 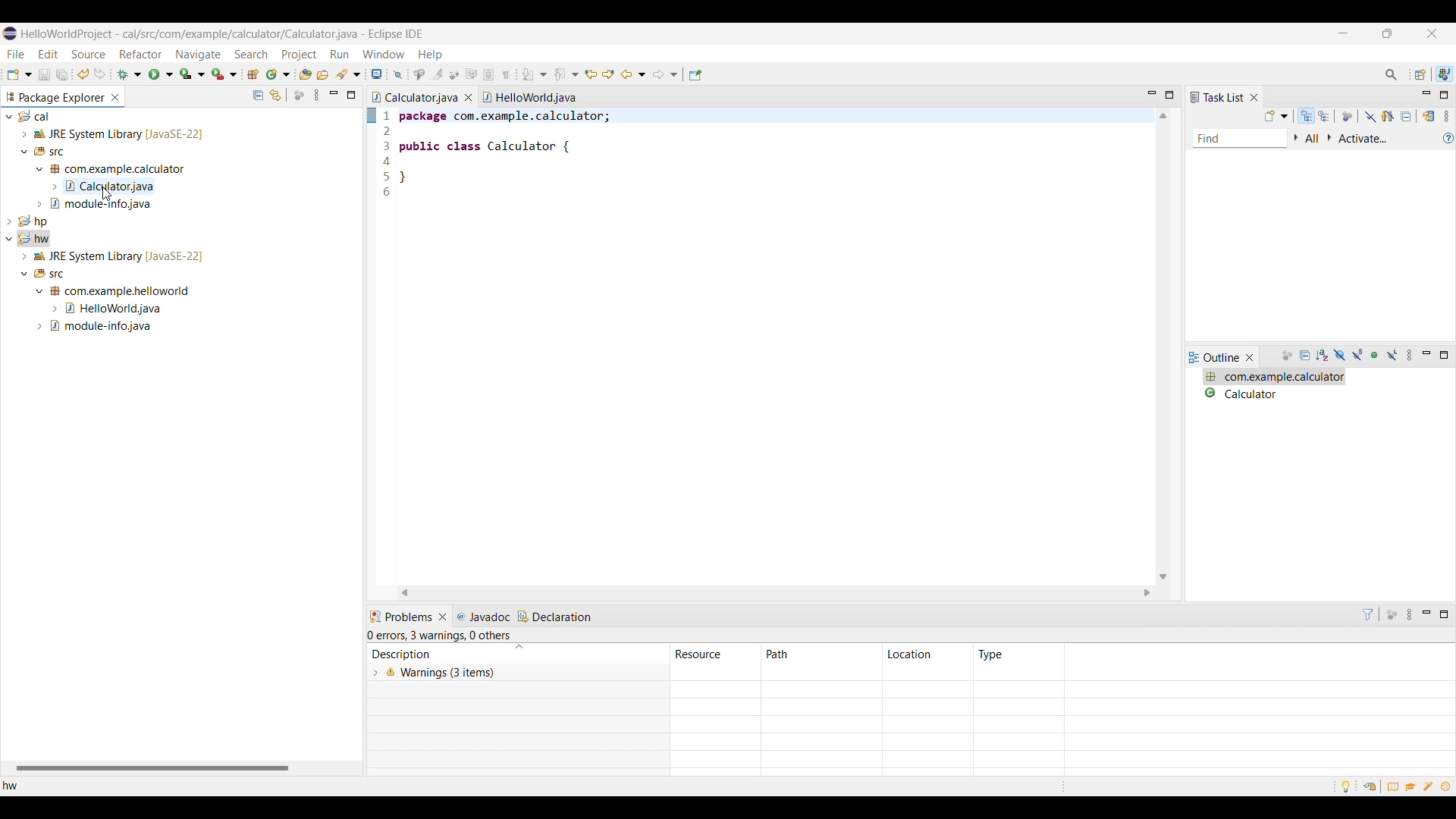 What do you see at coordinates (1240, 140) in the screenshot?
I see `Find` at bounding box center [1240, 140].